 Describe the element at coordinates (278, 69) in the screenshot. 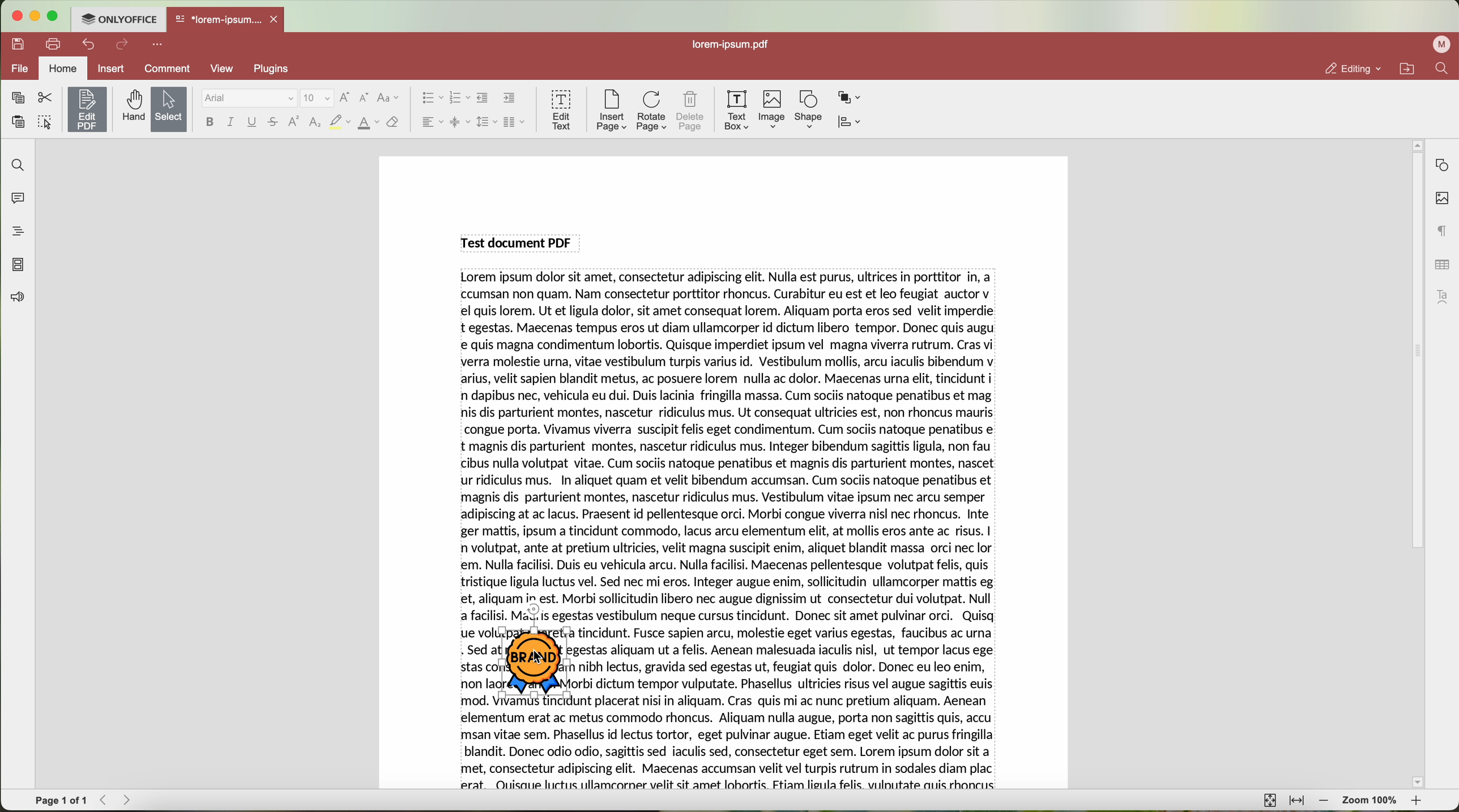

I see `plugins` at that location.